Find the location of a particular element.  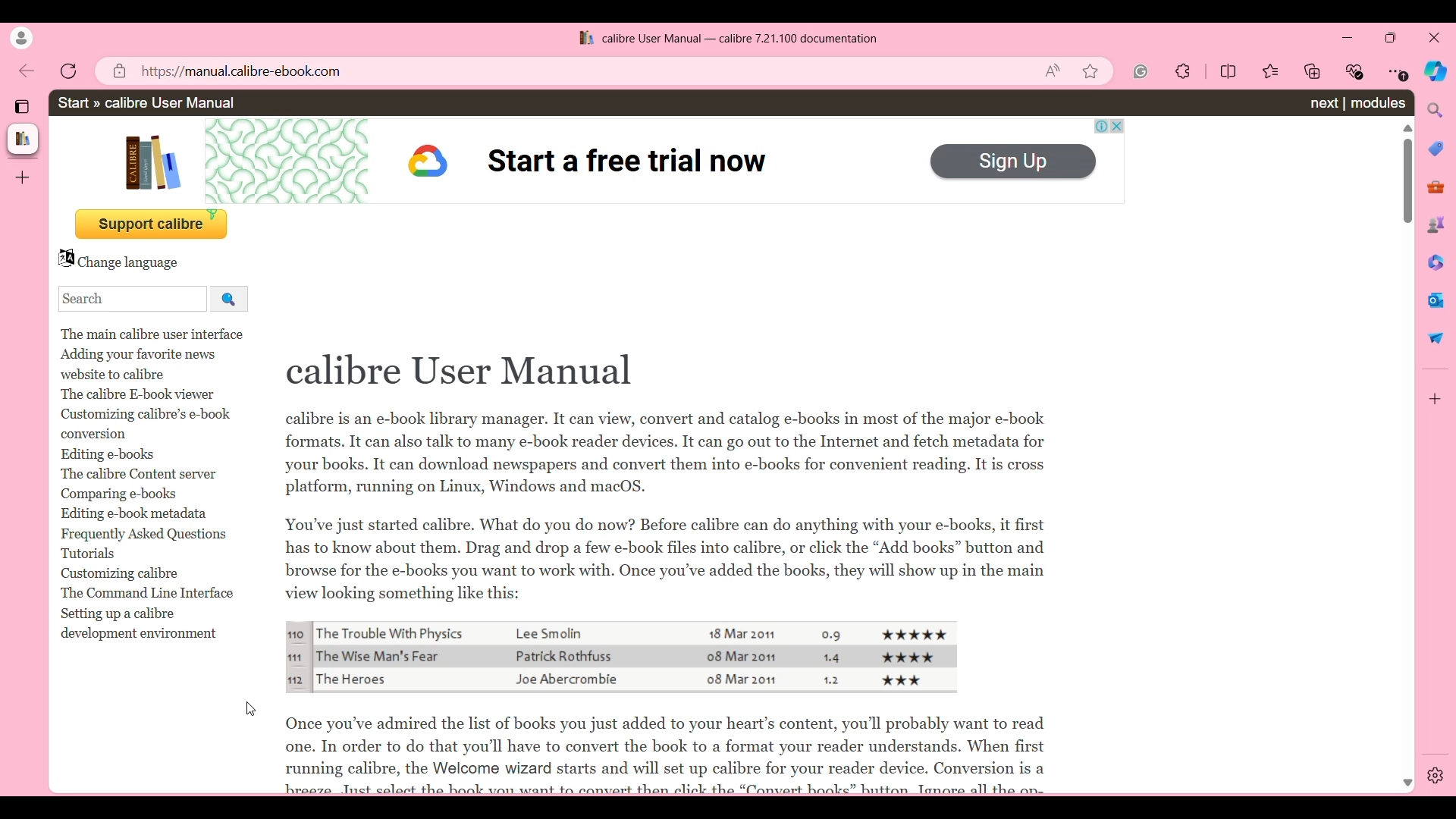

Change page language  is located at coordinates (118, 259).